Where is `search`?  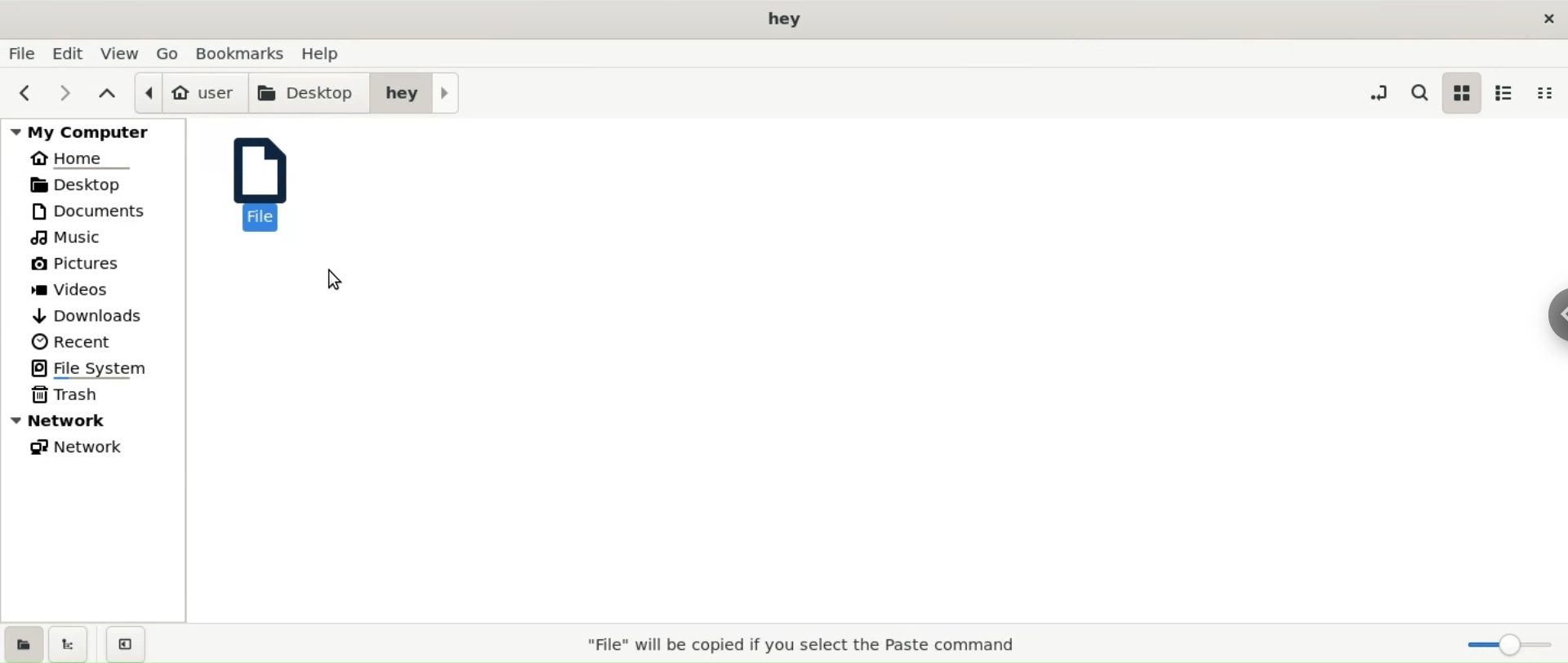 search is located at coordinates (1418, 93).